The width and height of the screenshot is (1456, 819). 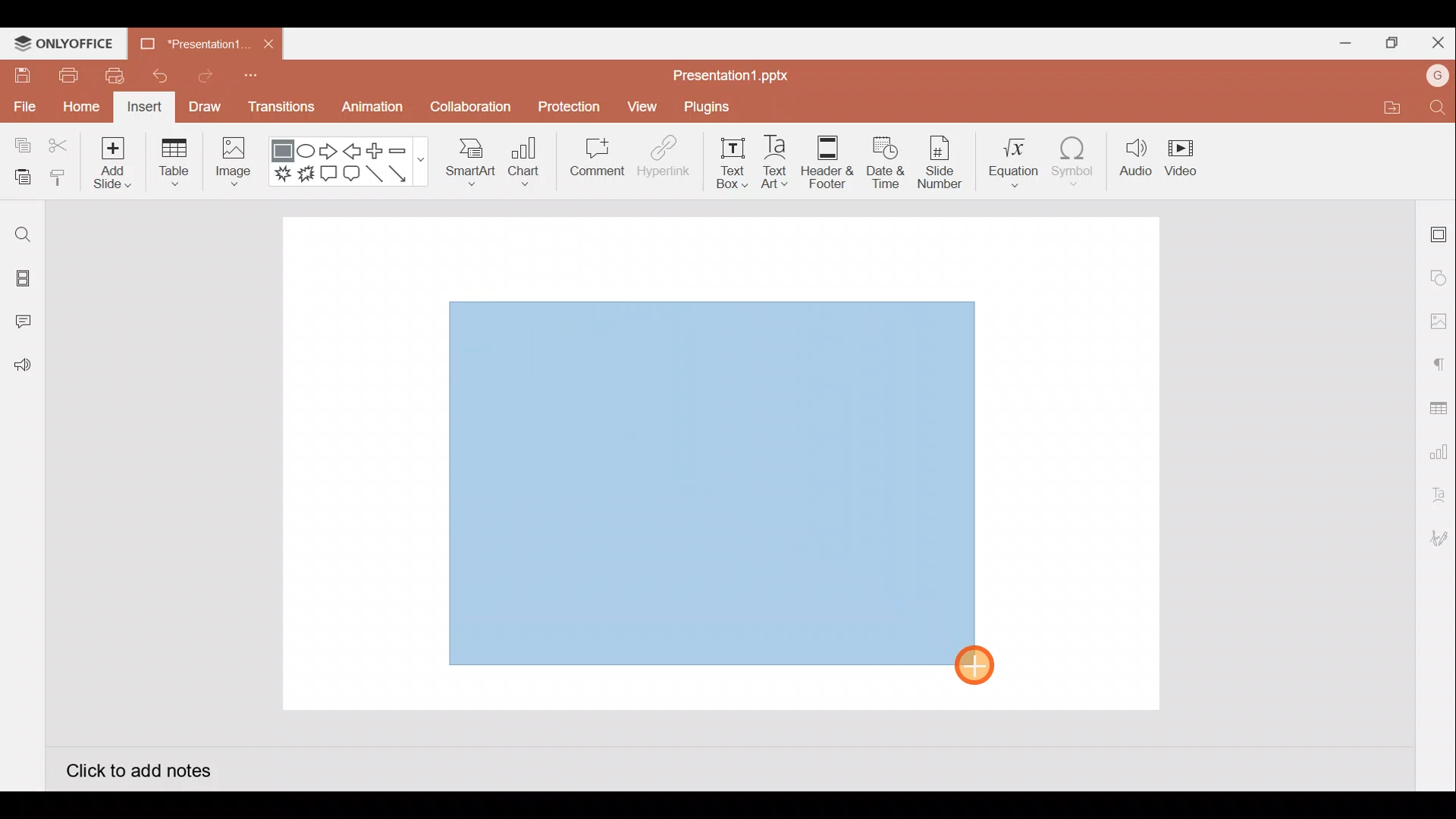 I want to click on Chart, so click(x=525, y=160).